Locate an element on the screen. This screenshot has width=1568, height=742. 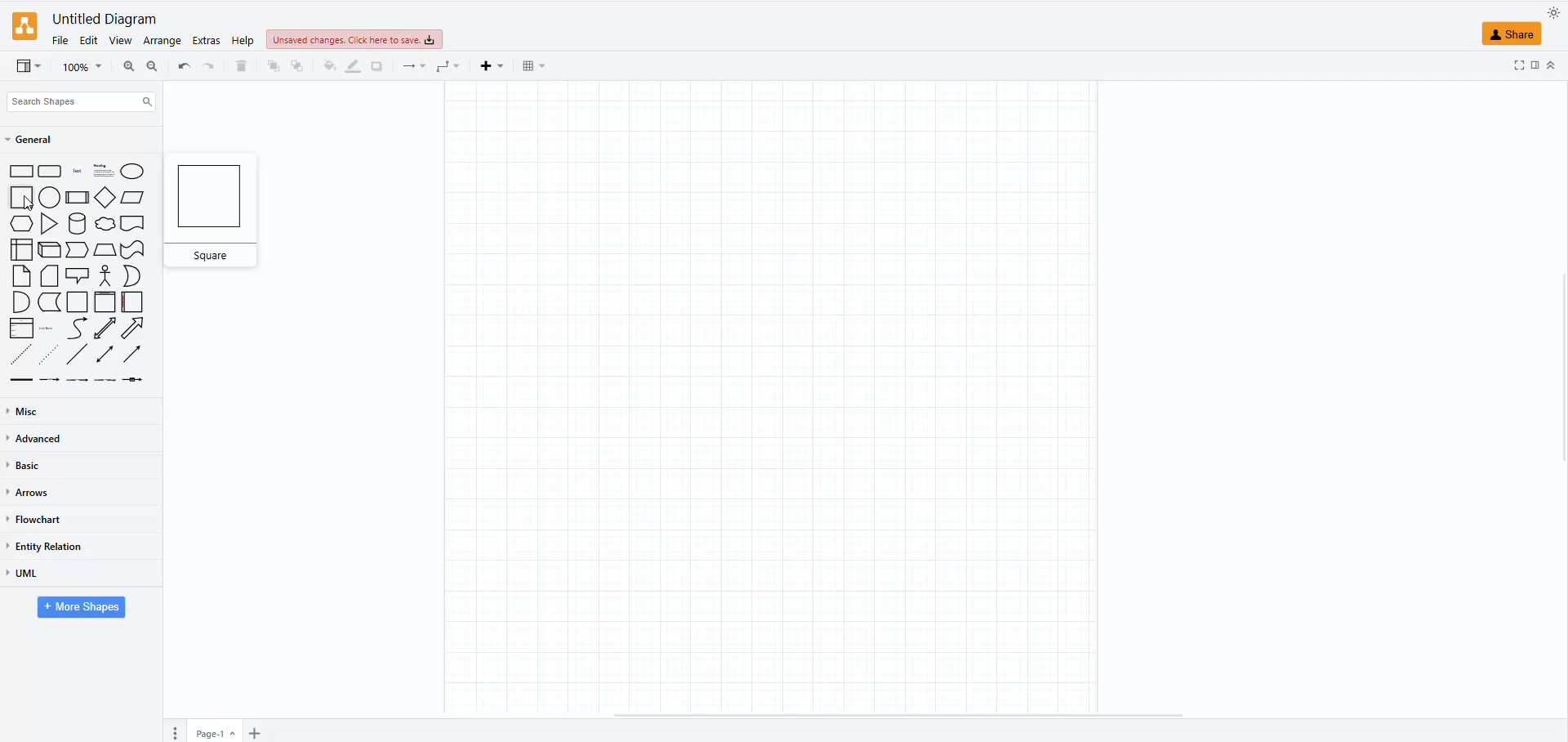
bidirectional arrow is located at coordinates (105, 329).